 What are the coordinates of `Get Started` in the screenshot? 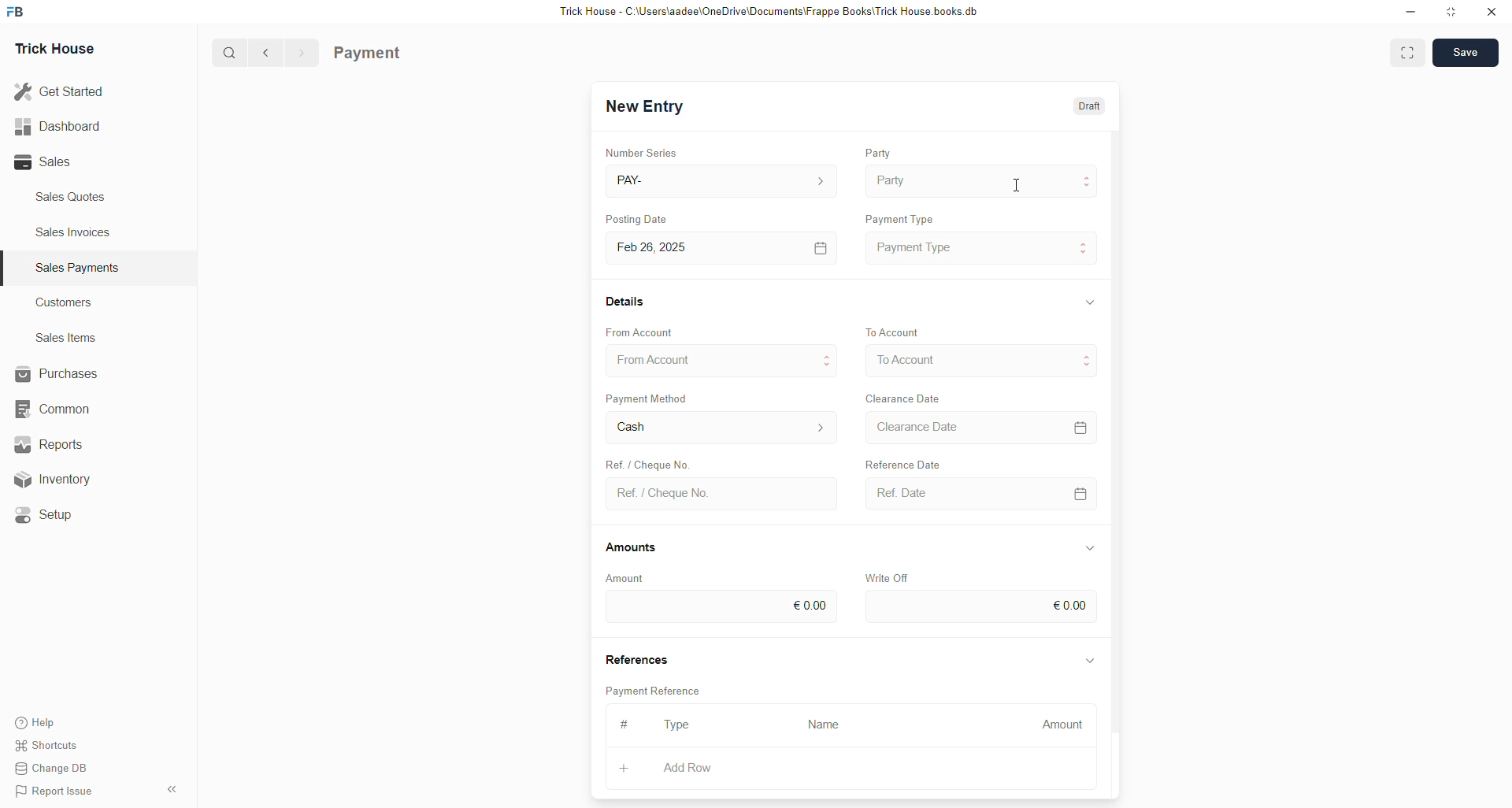 It's located at (60, 92).